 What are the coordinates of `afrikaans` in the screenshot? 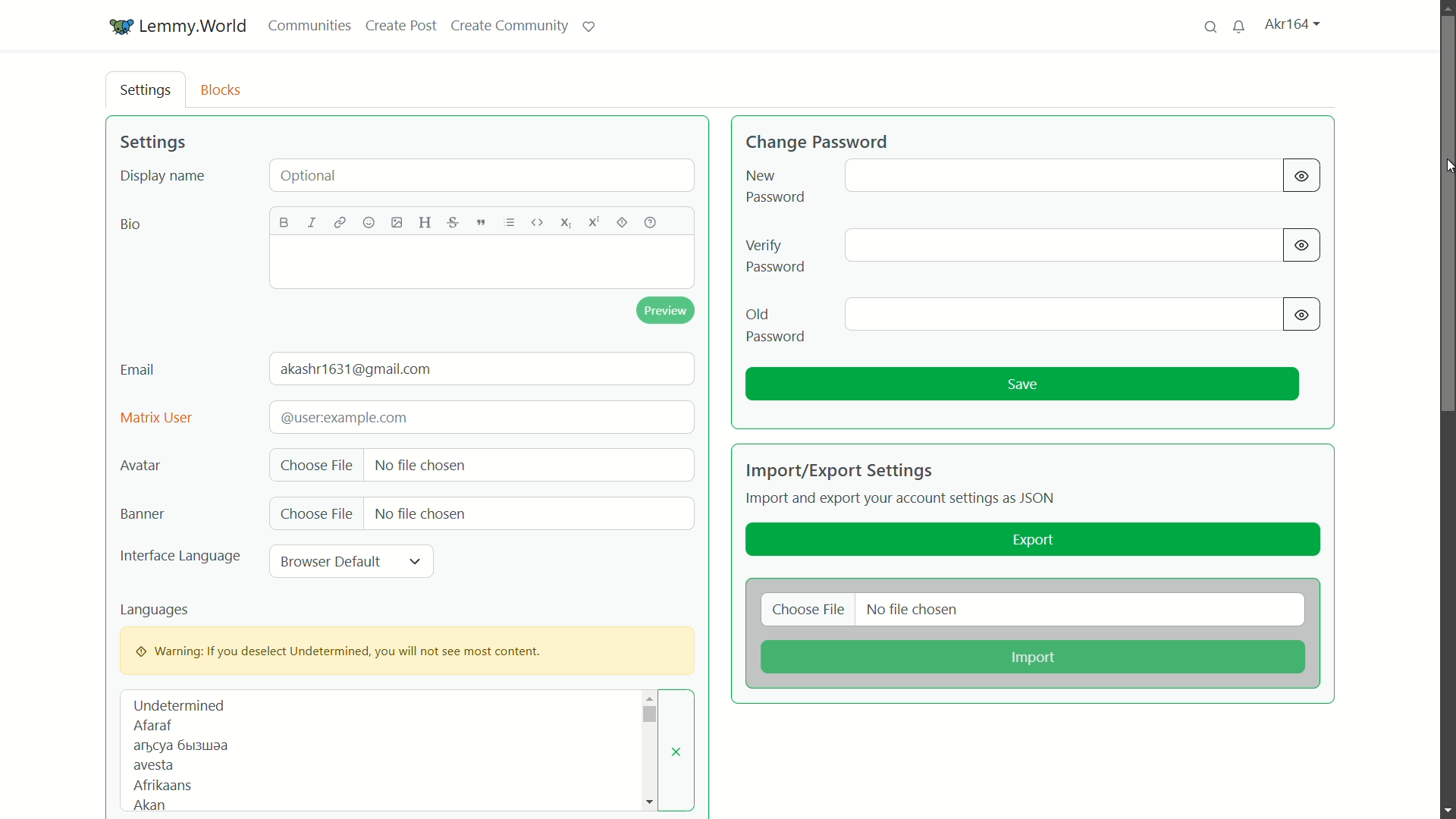 It's located at (165, 786).